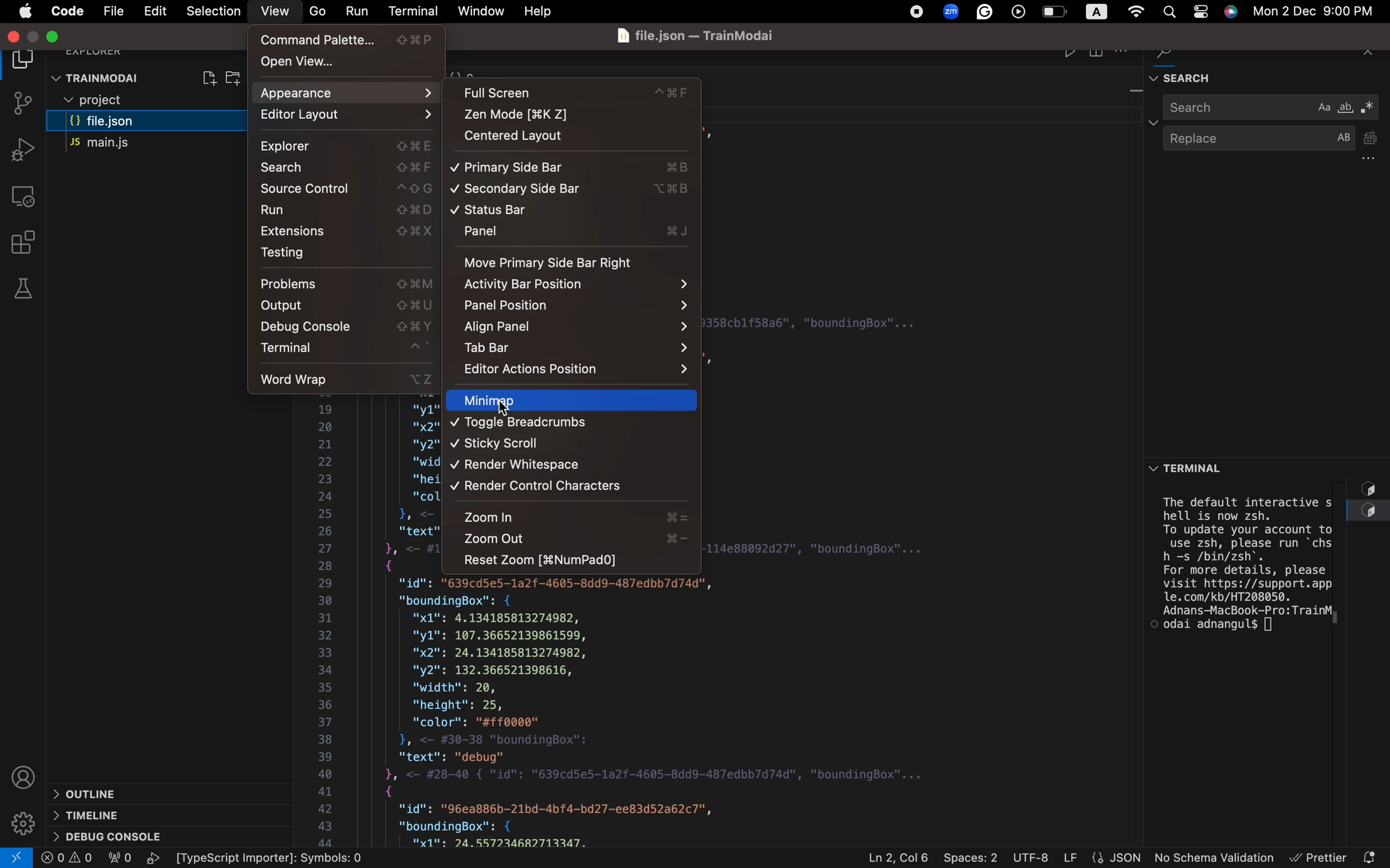 This screenshot has width=1390, height=868. What do you see at coordinates (348, 168) in the screenshot?
I see `search` at bounding box center [348, 168].